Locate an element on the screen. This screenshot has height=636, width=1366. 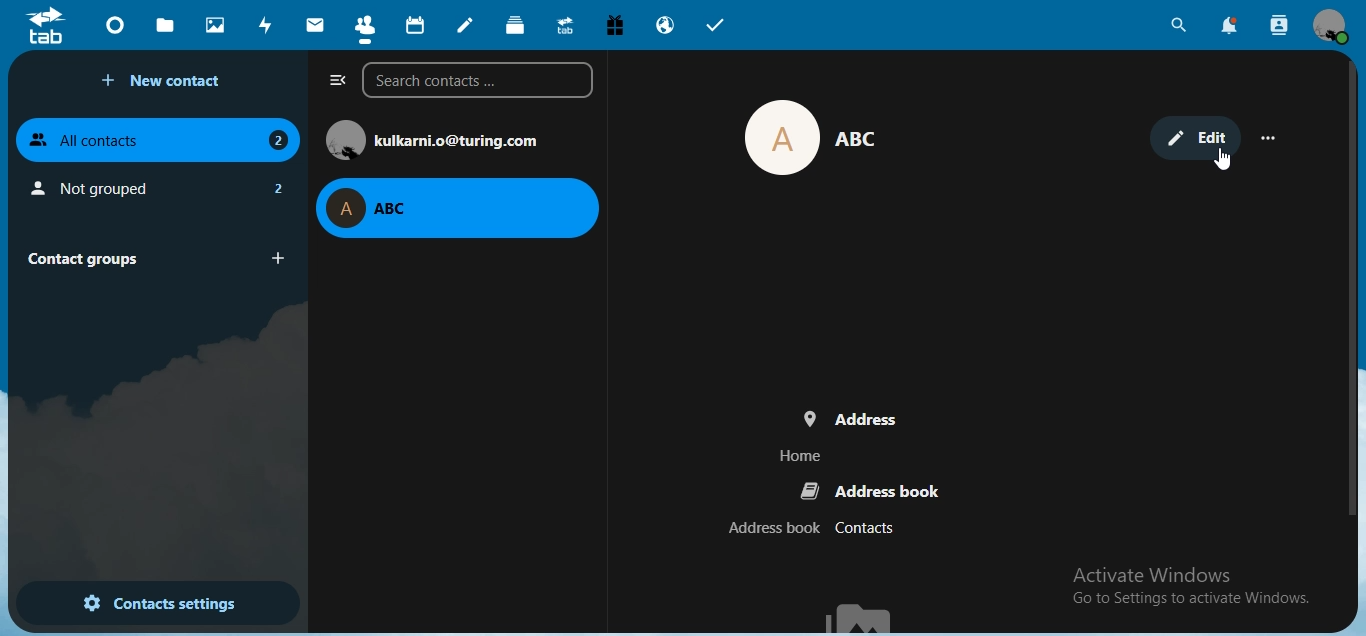
scroll bar is located at coordinates (1352, 290).